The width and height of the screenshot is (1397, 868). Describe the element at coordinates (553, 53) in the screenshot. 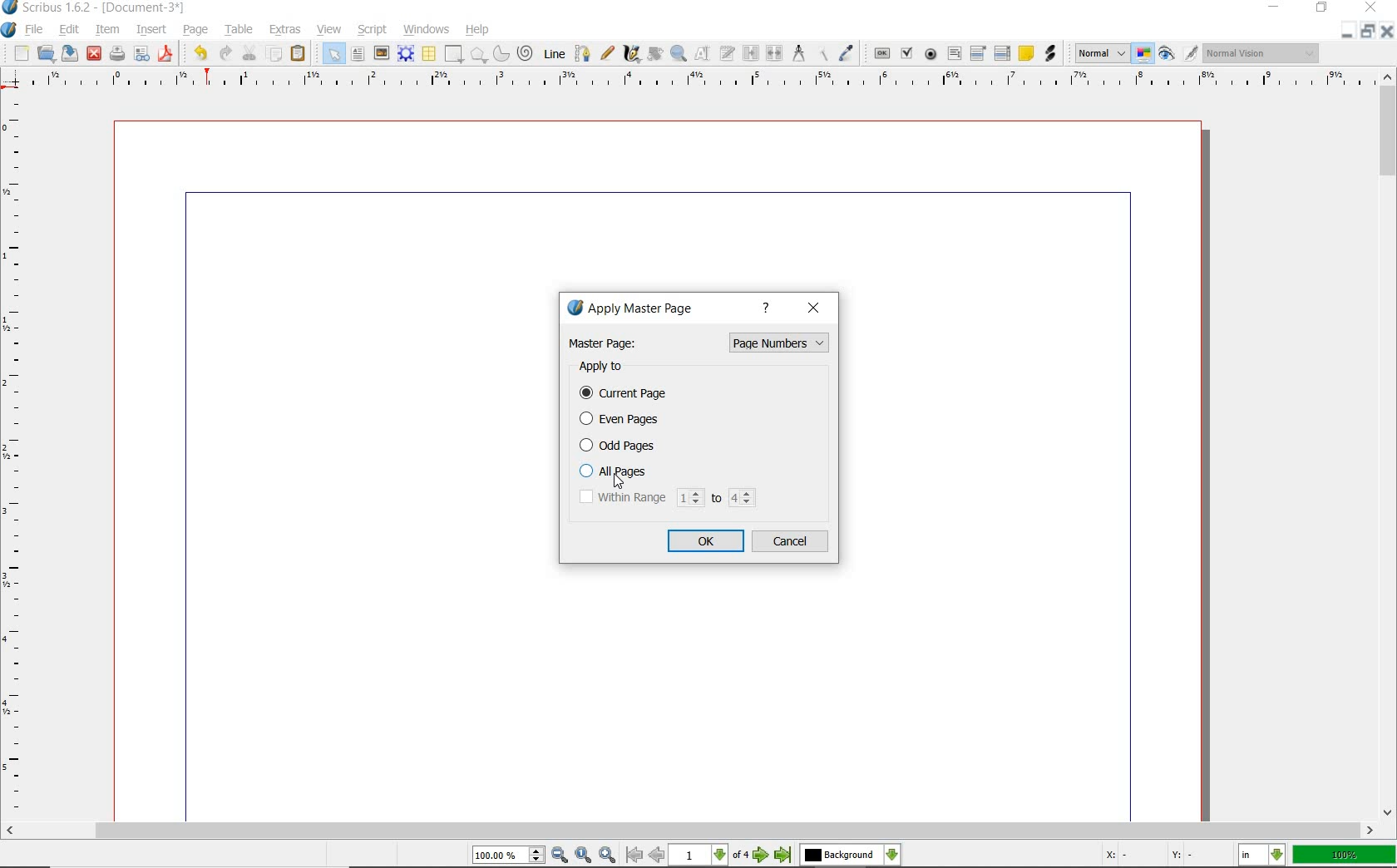

I see `line` at that location.